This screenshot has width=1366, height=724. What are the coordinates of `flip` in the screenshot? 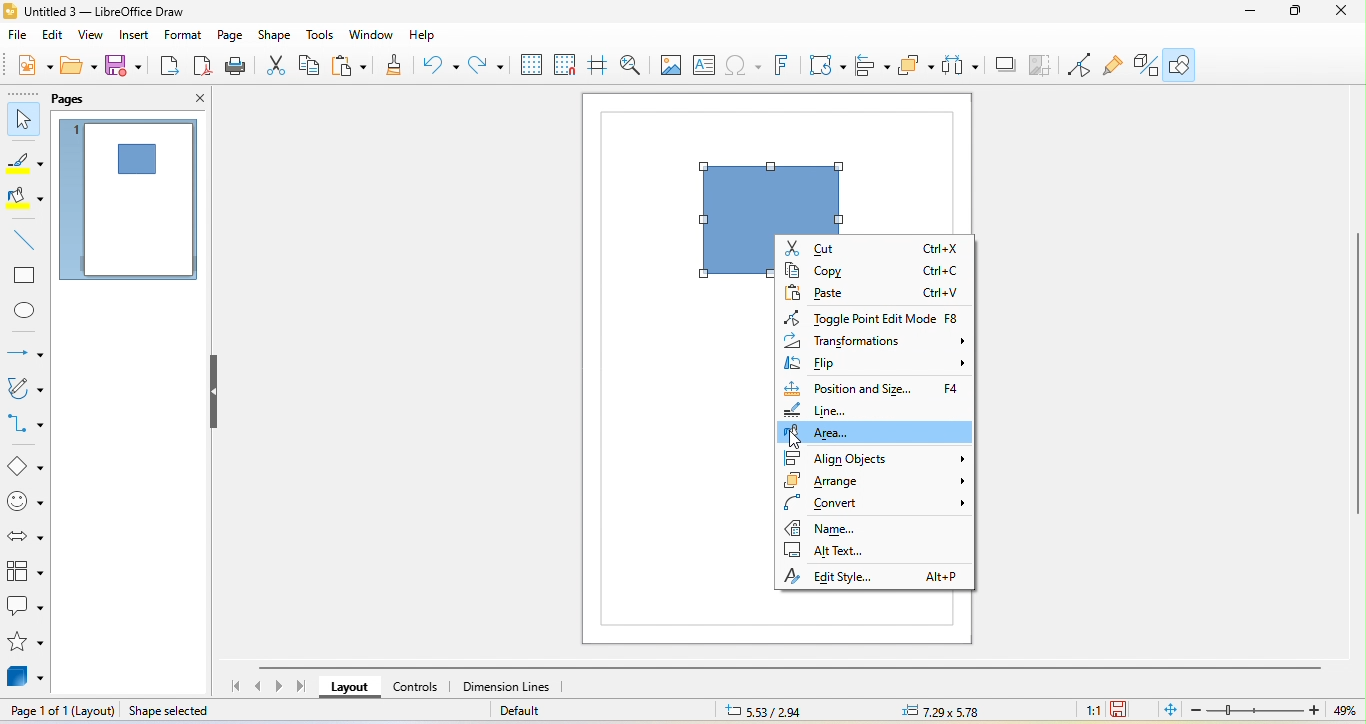 It's located at (877, 362).